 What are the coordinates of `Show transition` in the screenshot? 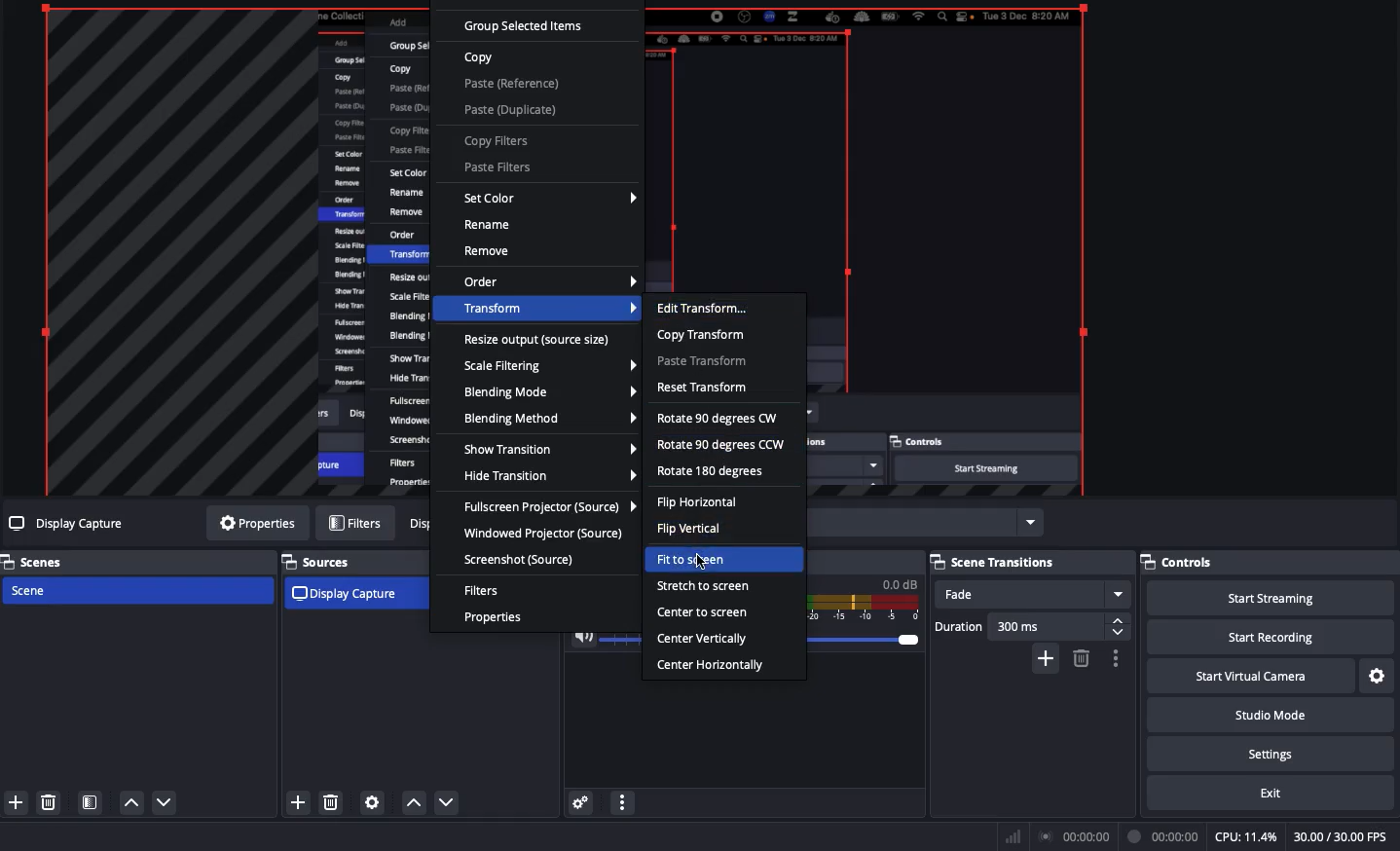 It's located at (550, 450).